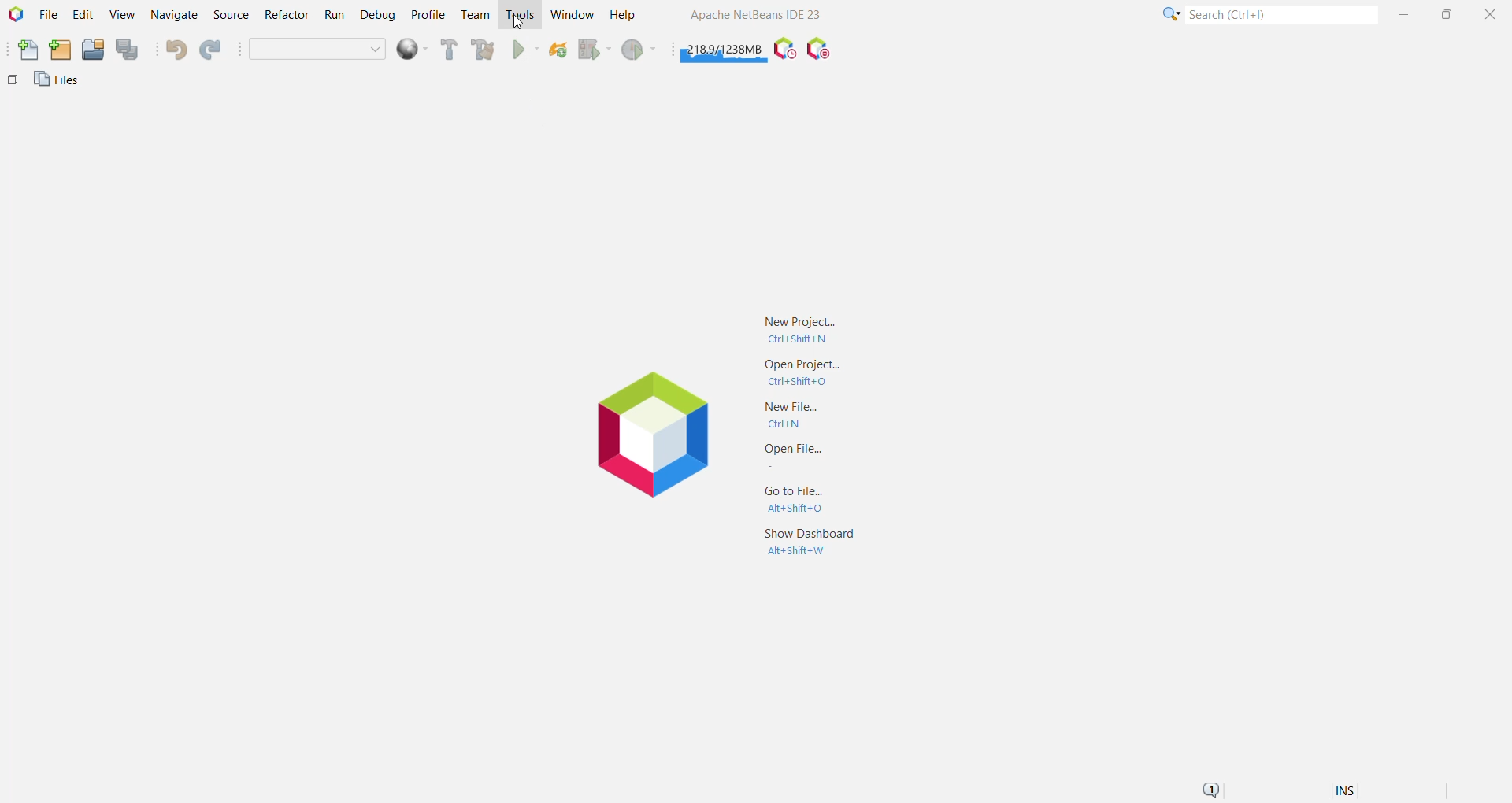  What do you see at coordinates (486, 51) in the screenshot?
I see `Clean and Build Main Project` at bounding box center [486, 51].